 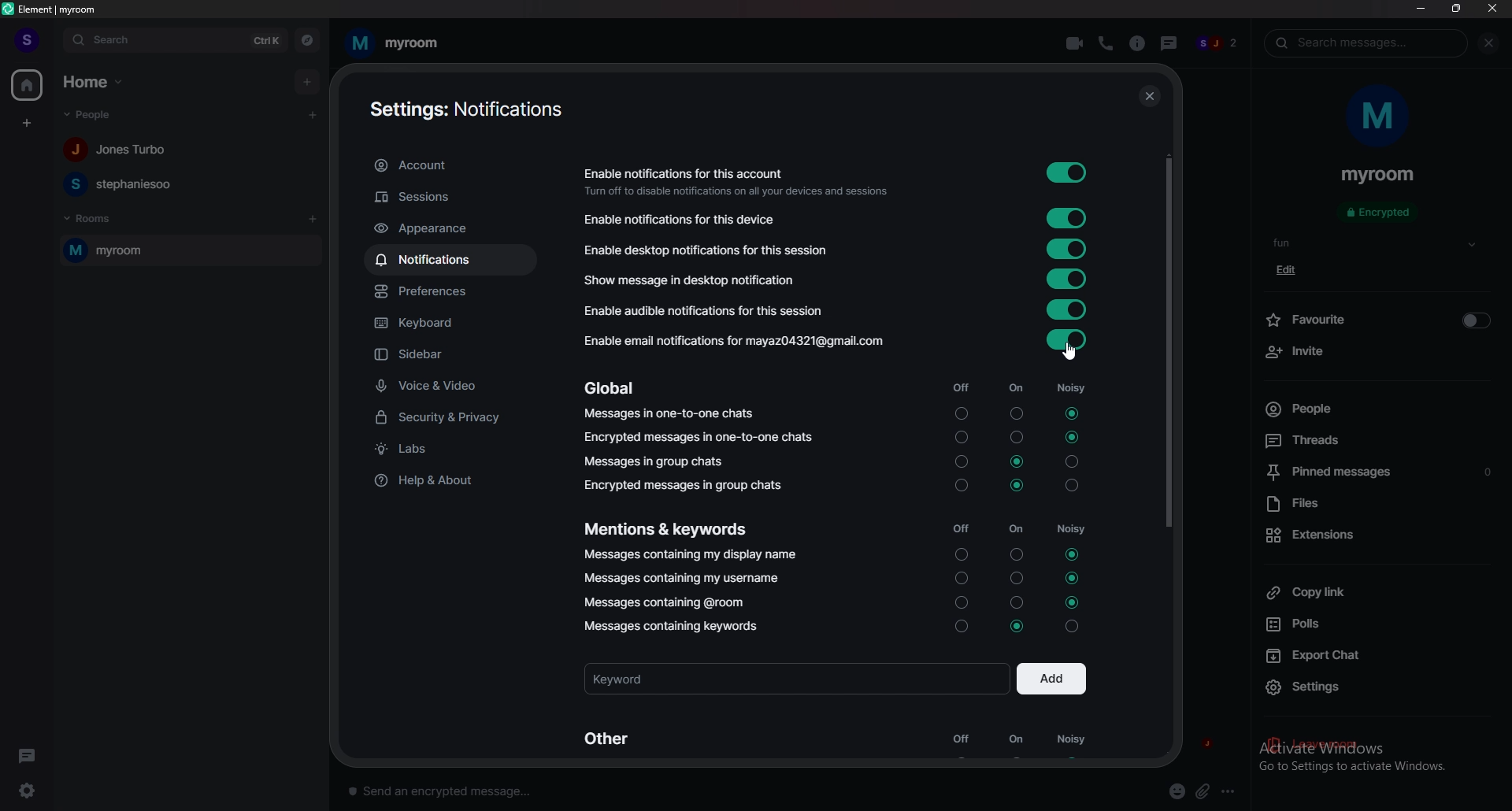 What do you see at coordinates (454, 259) in the screenshot?
I see `notifications` at bounding box center [454, 259].